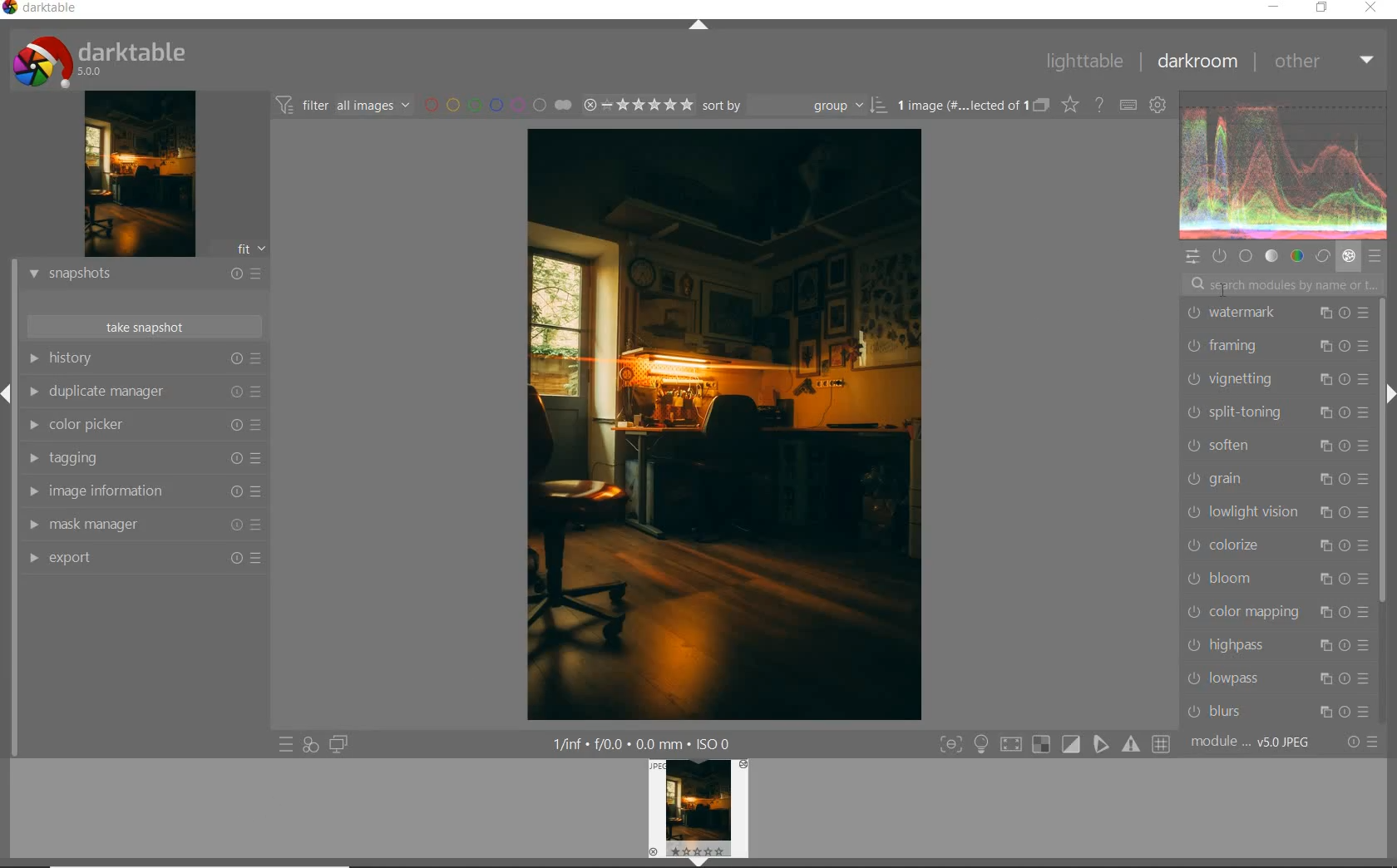  What do you see at coordinates (1087, 61) in the screenshot?
I see `lighttable` at bounding box center [1087, 61].